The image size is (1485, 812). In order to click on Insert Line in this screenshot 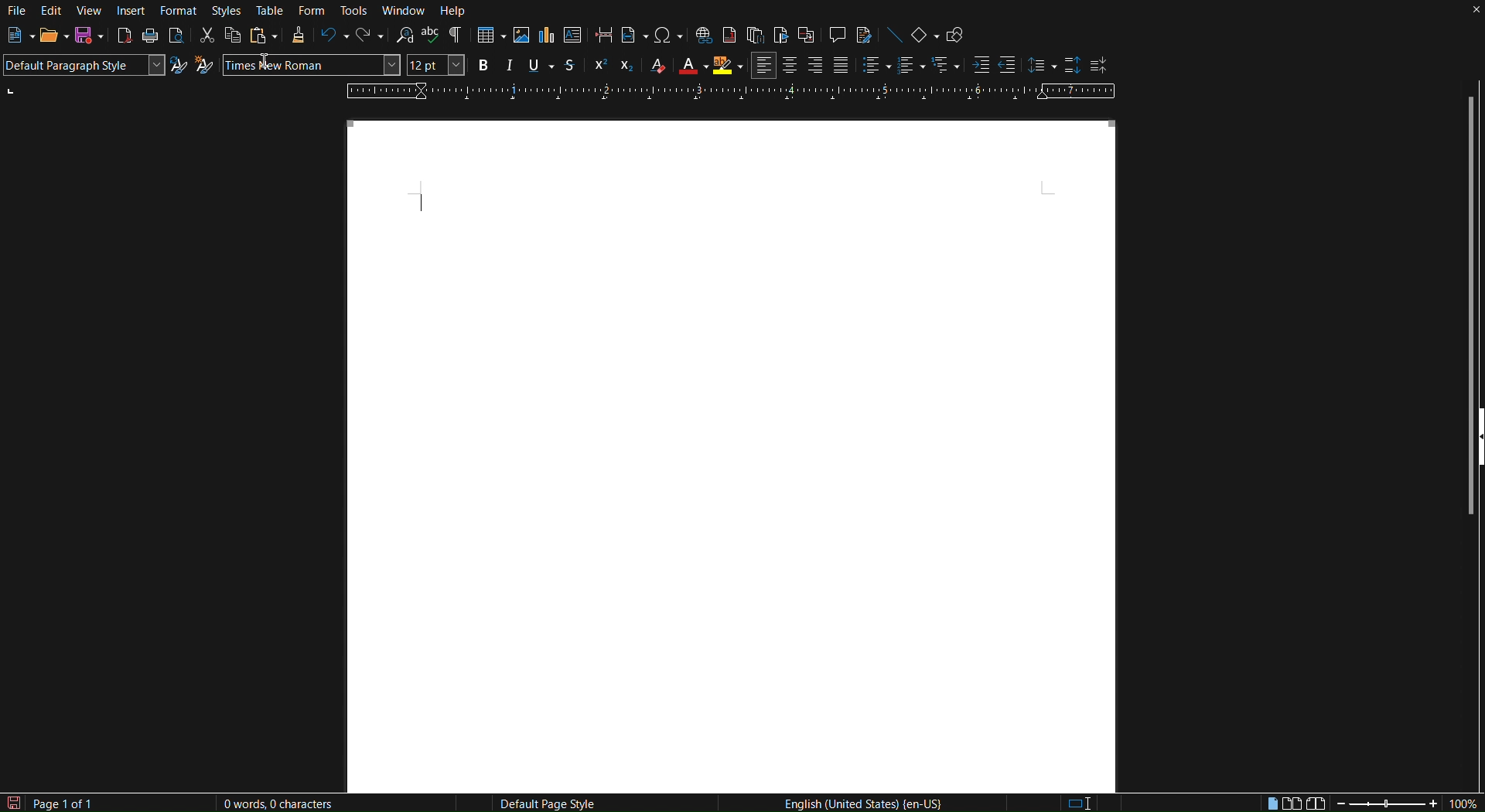, I will do `click(895, 38)`.